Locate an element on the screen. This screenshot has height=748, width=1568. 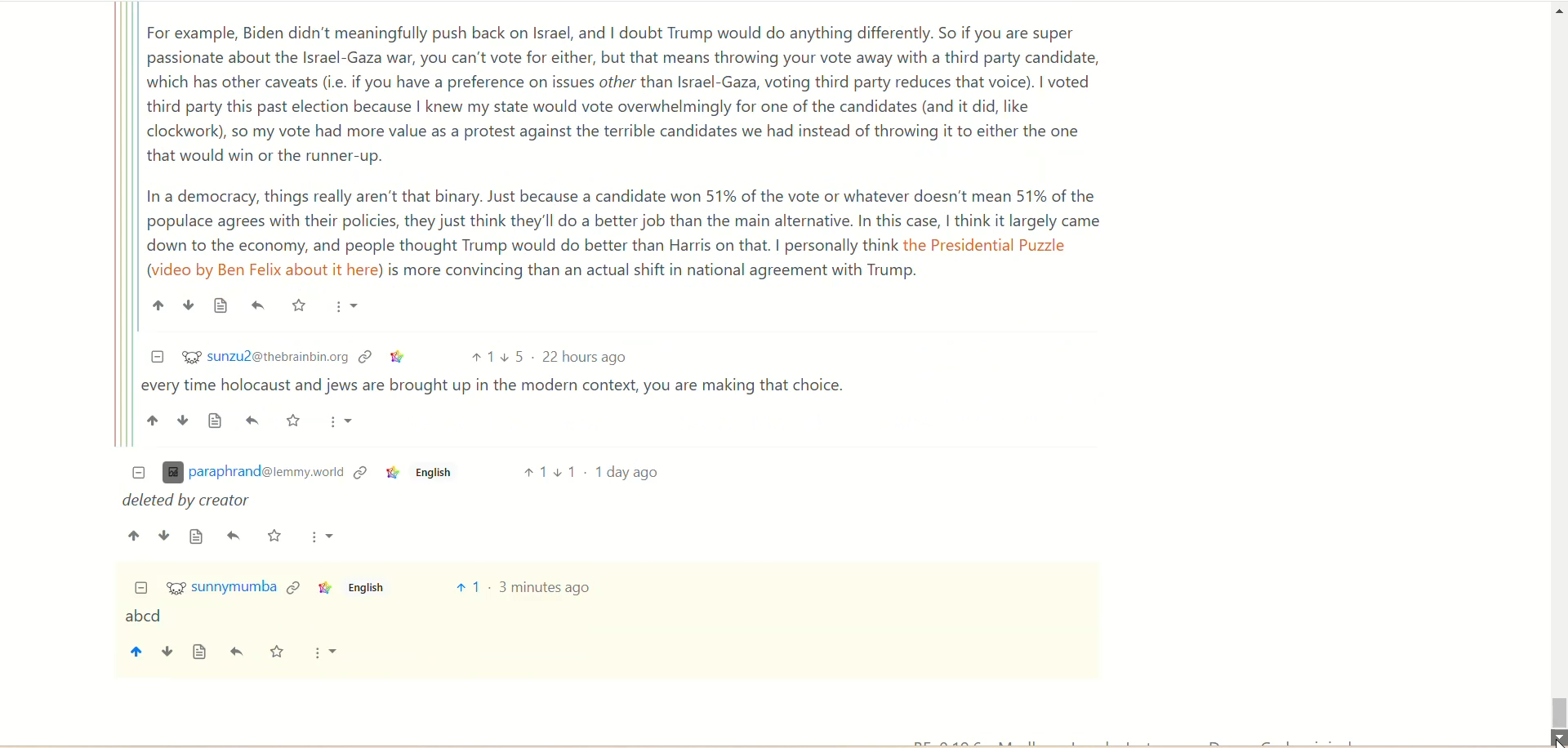
more is located at coordinates (323, 653).